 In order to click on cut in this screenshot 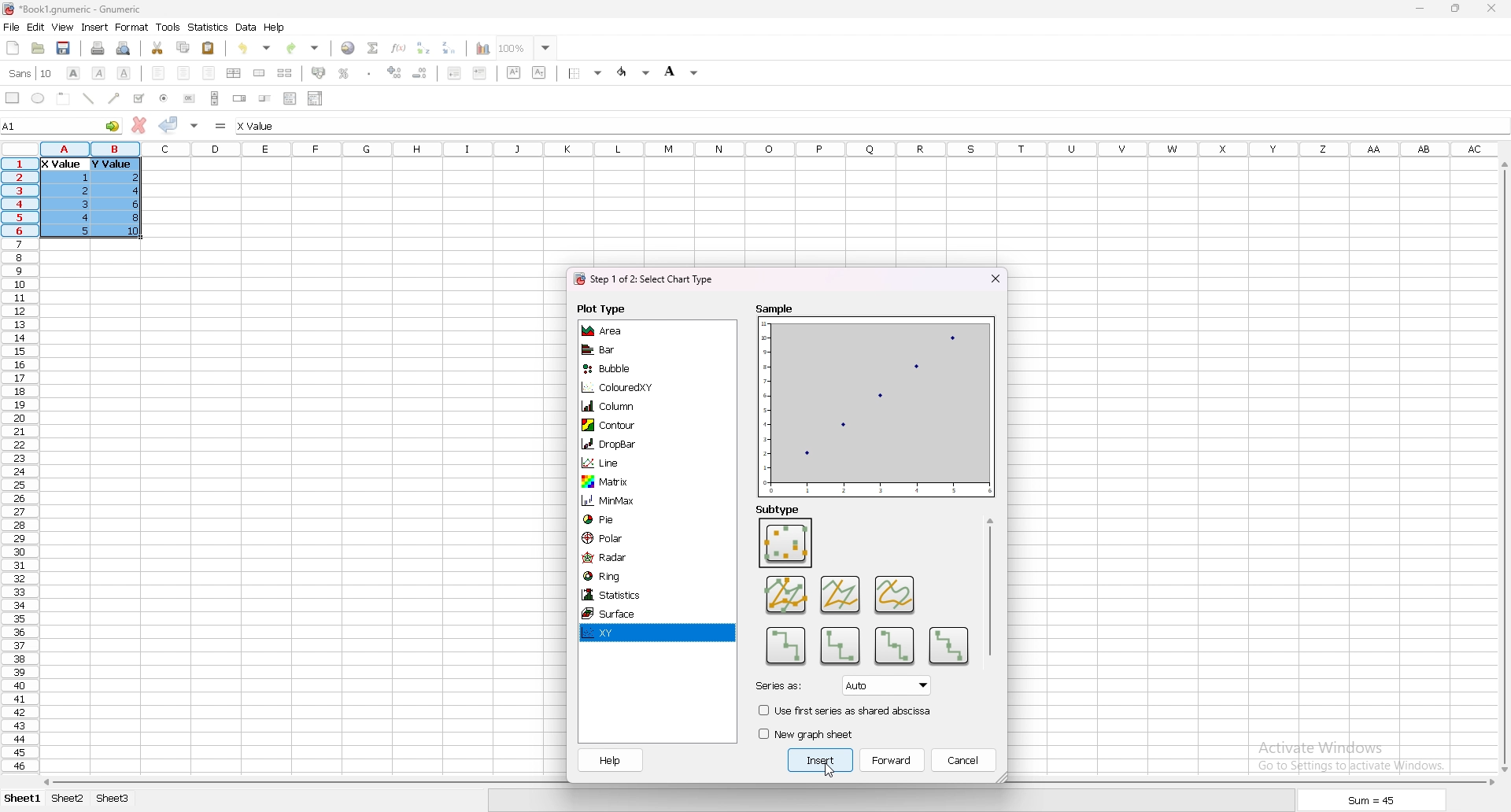, I will do `click(158, 47)`.